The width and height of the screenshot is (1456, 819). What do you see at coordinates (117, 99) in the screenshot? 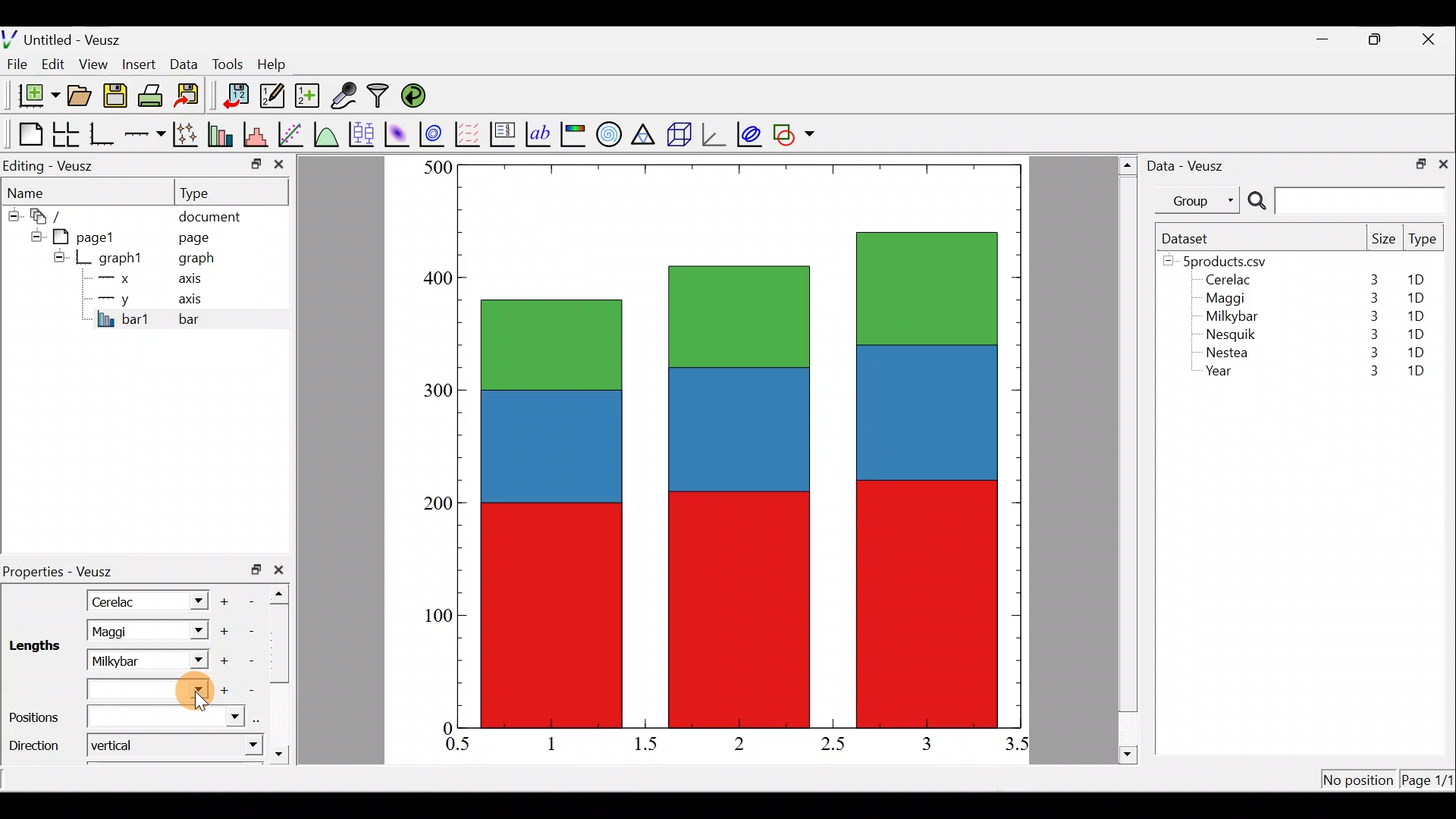
I see `Save the document` at bounding box center [117, 99].